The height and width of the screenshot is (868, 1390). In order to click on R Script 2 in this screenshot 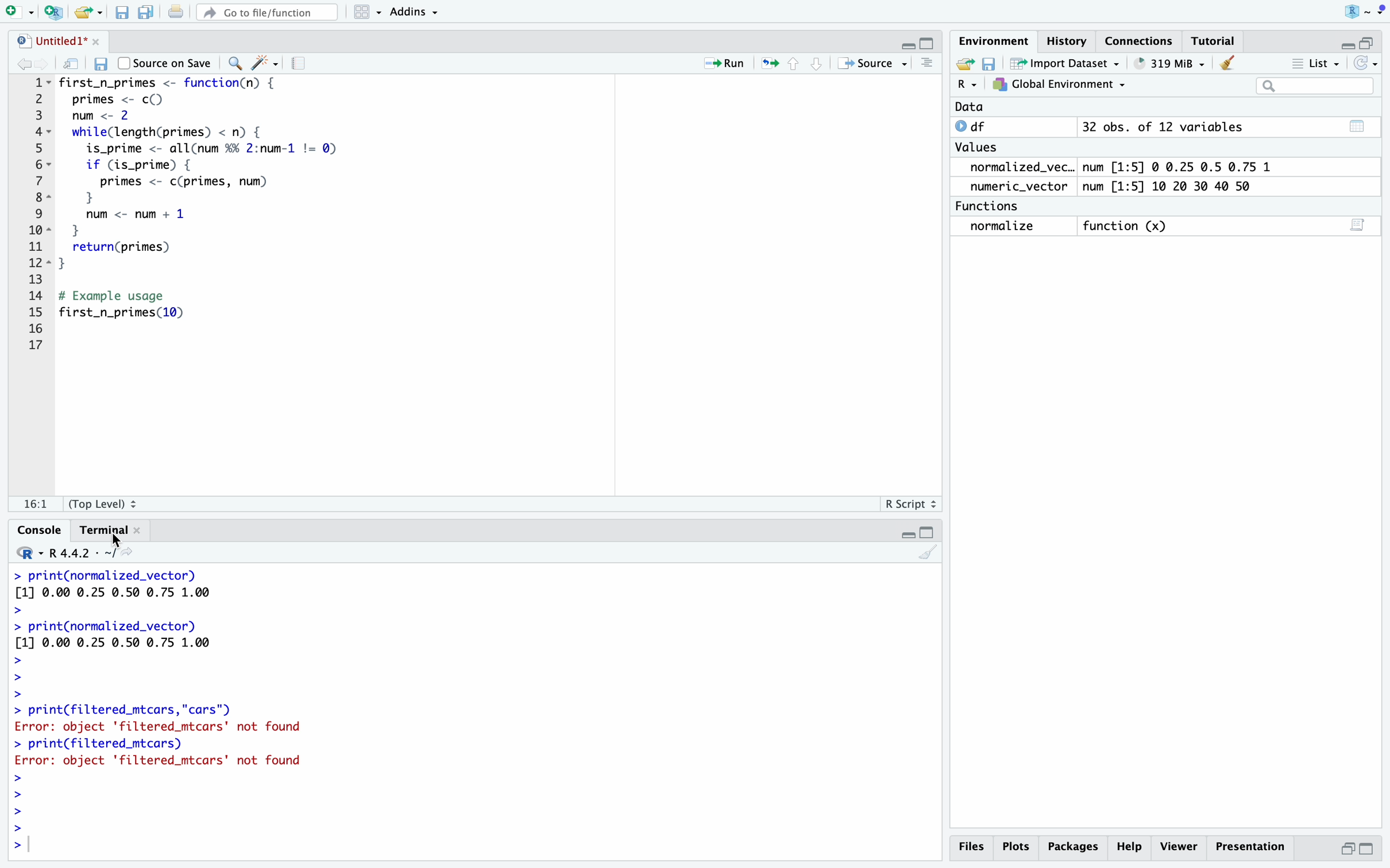, I will do `click(910, 502)`.